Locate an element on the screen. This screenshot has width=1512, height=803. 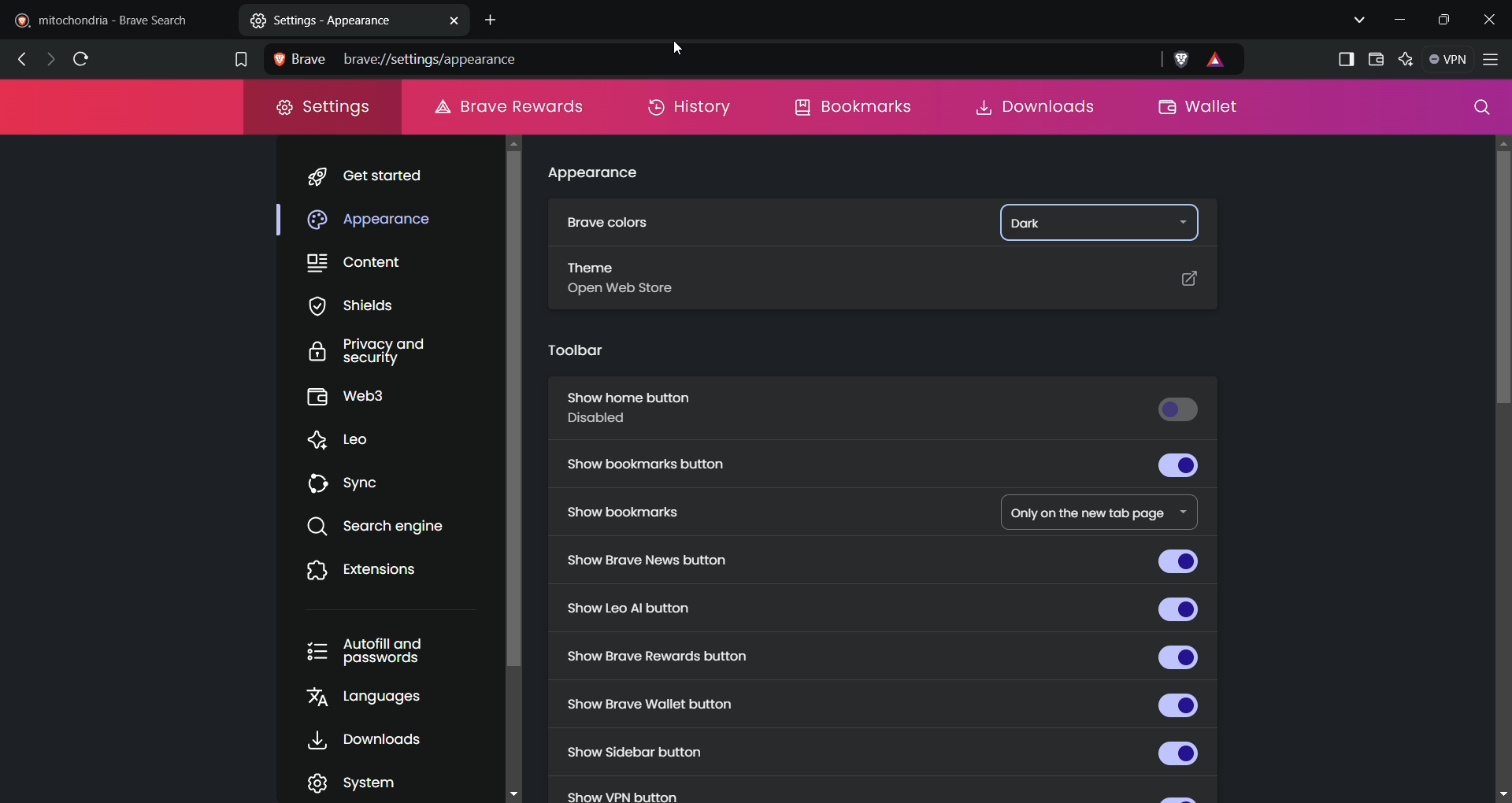
minimize is located at coordinates (1397, 22).